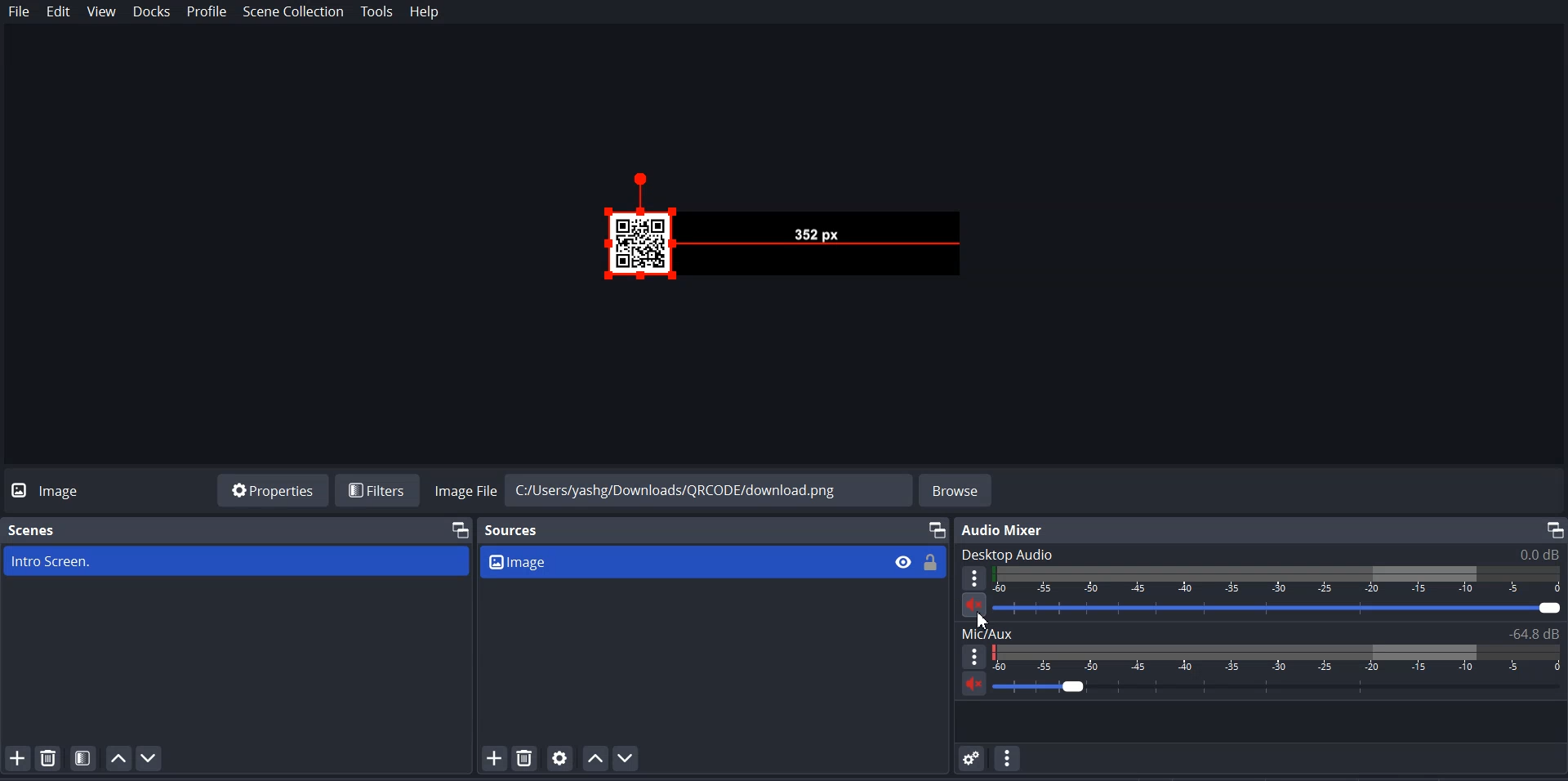 This screenshot has height=781, width=1568. I want to click on View, so click(101, 11).